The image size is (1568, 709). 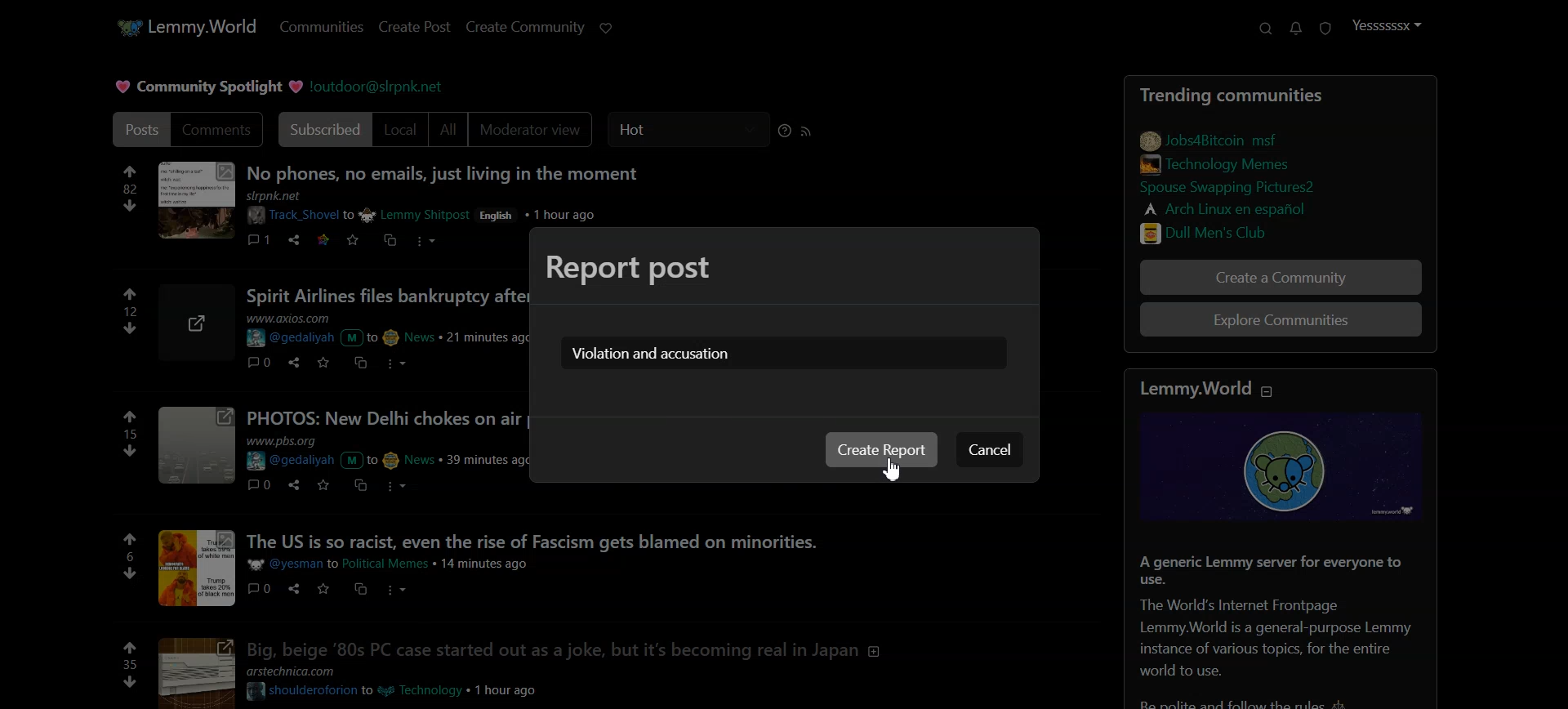 What do you see at coordinates (200, 323) in the screenshot?
I see `image` at bounding box center [200, 323].